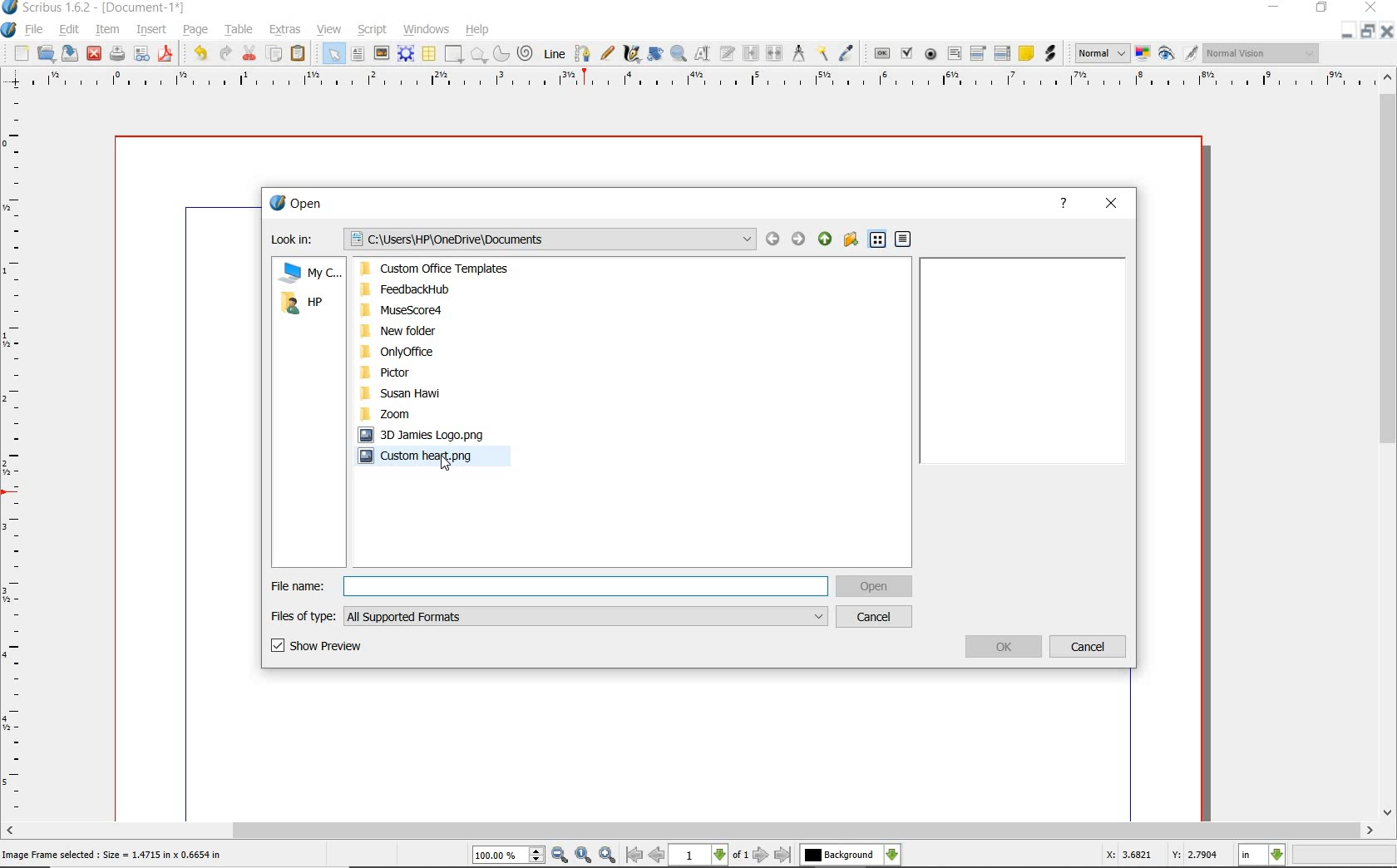  Describe the element at coordinates (298, 53) in the screenshot. I see `paste` at that location.